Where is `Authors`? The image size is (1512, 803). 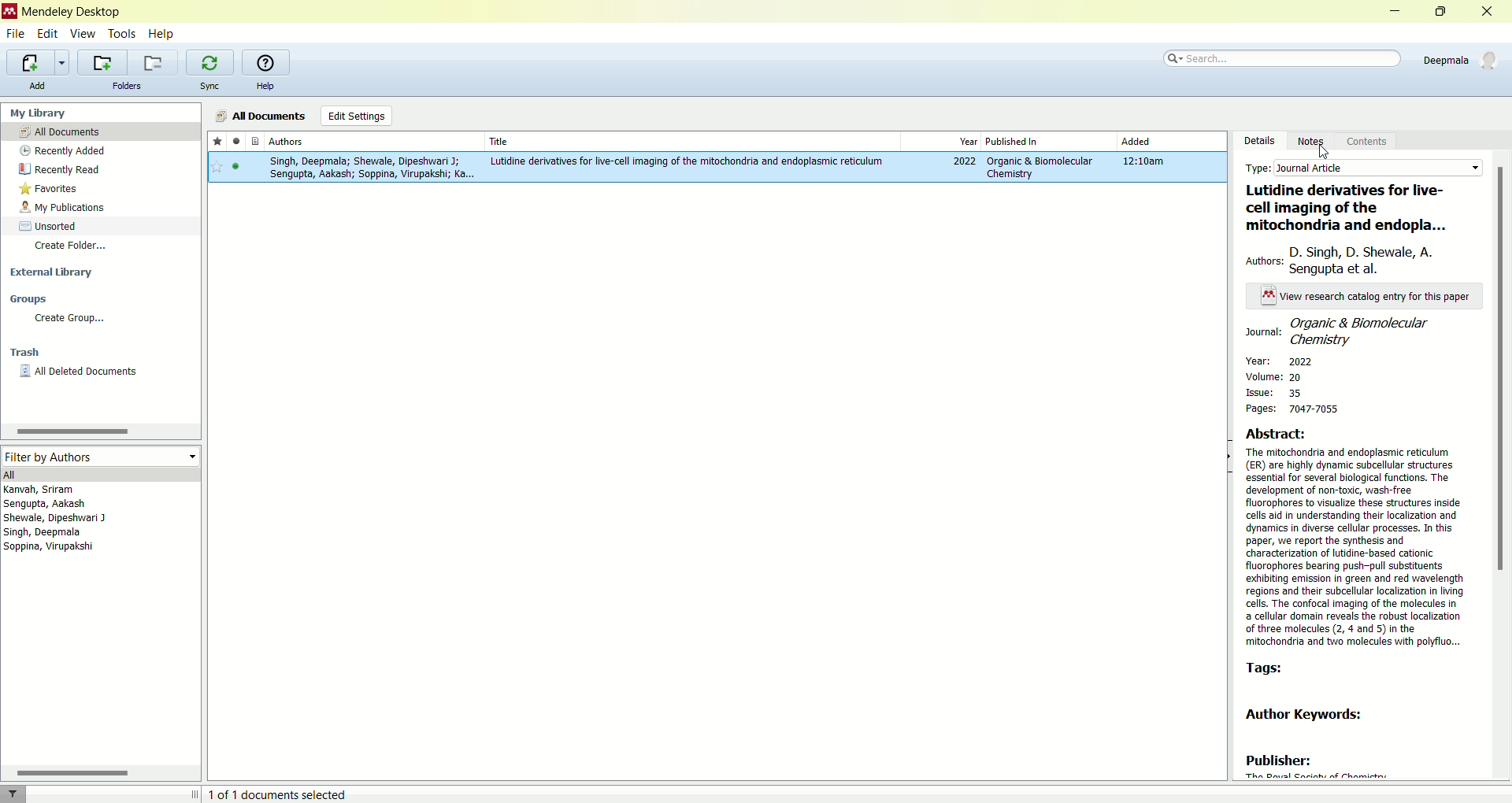
Authors is located at coordinates (372, 141).